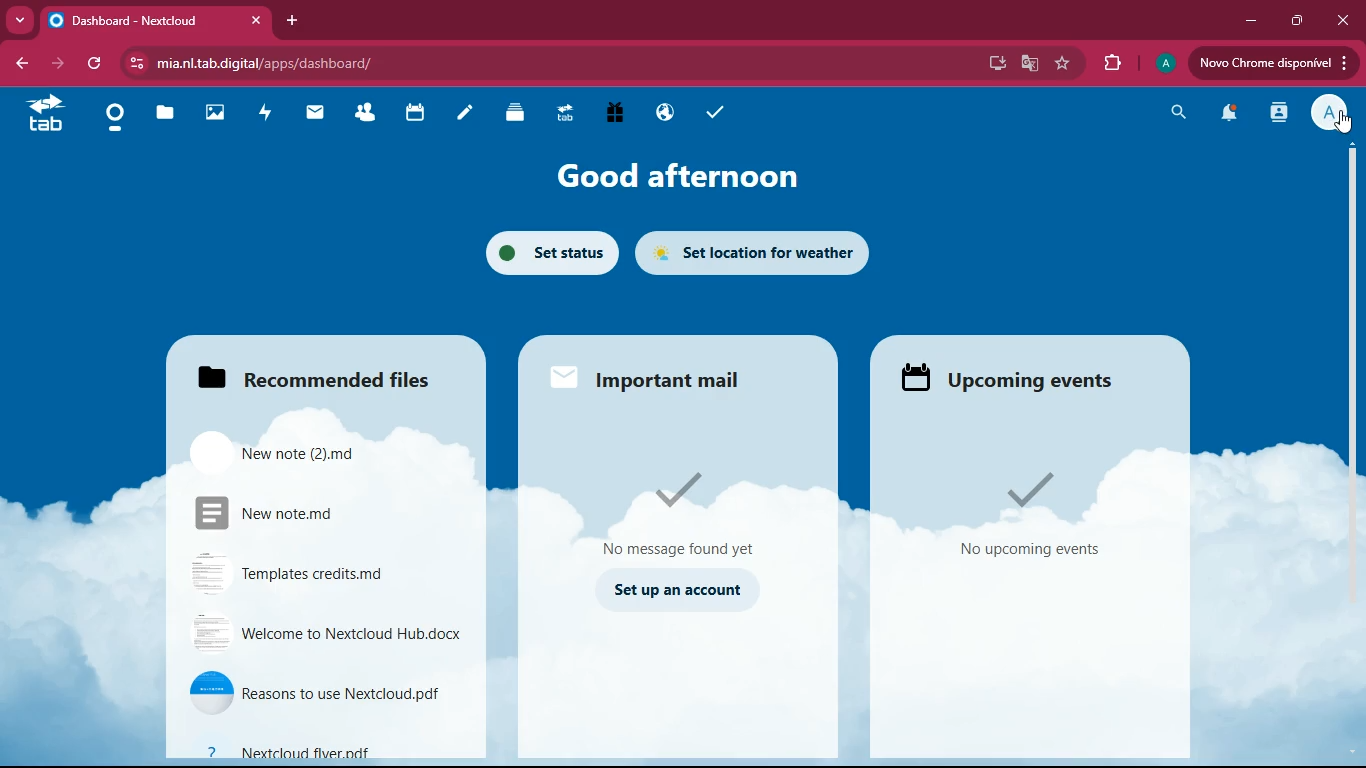 This screenshot has width=1366, height=768. I want to click on add tab, so click(296, 21).